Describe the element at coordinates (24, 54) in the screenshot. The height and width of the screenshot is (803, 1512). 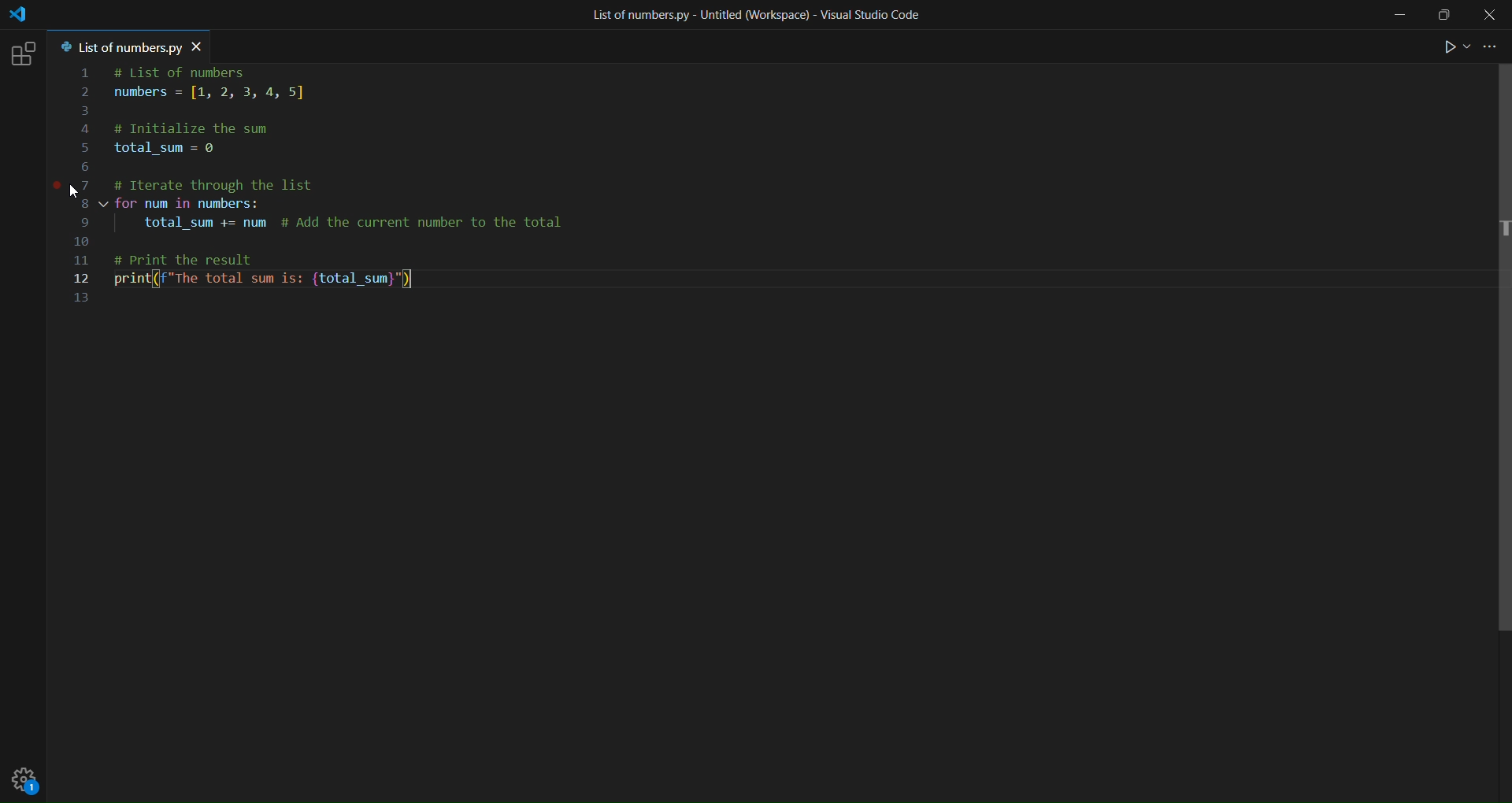
I see `extension` at that location.